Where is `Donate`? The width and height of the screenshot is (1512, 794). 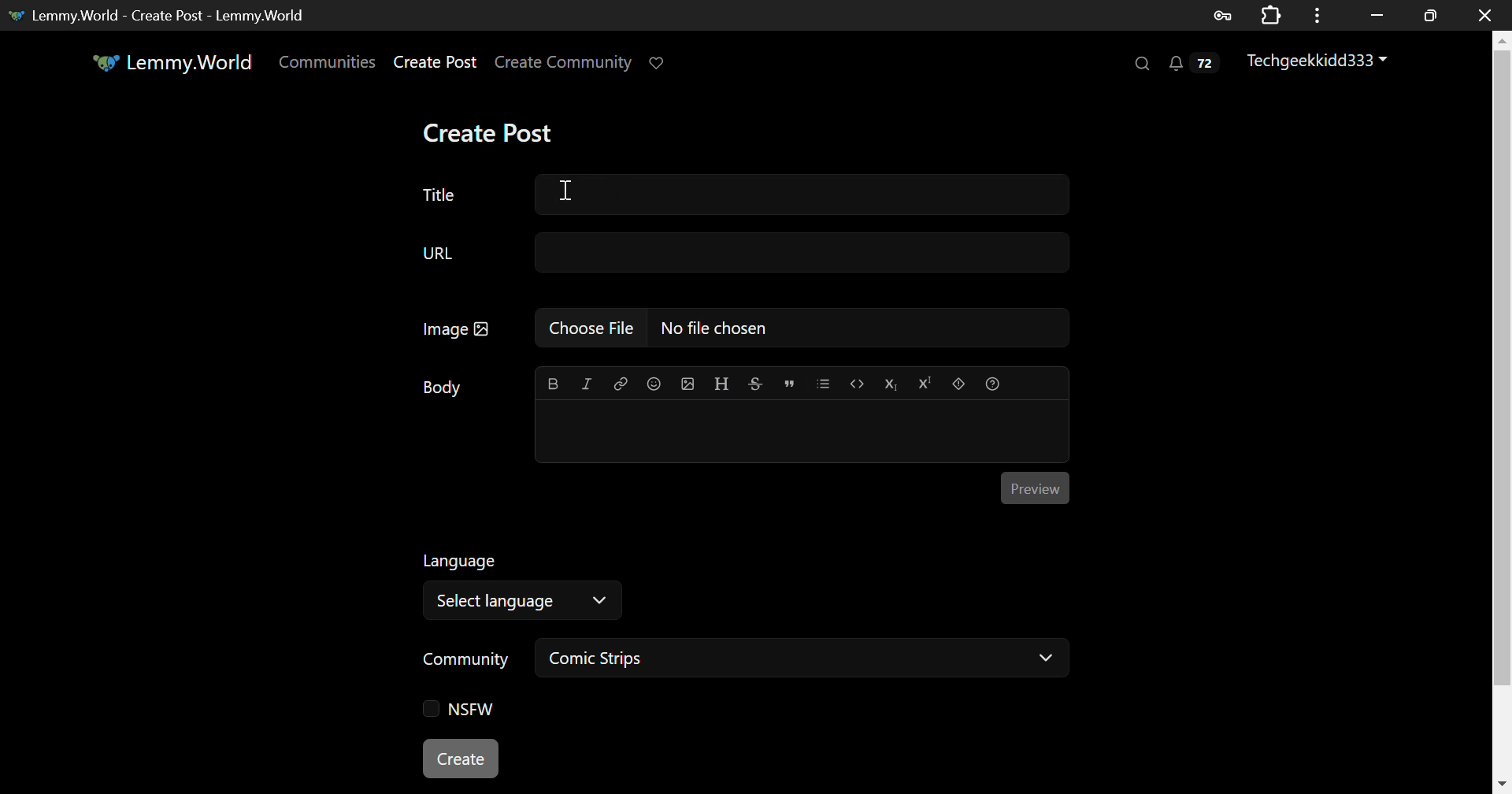 Donate is located at coordinates (661, 61).